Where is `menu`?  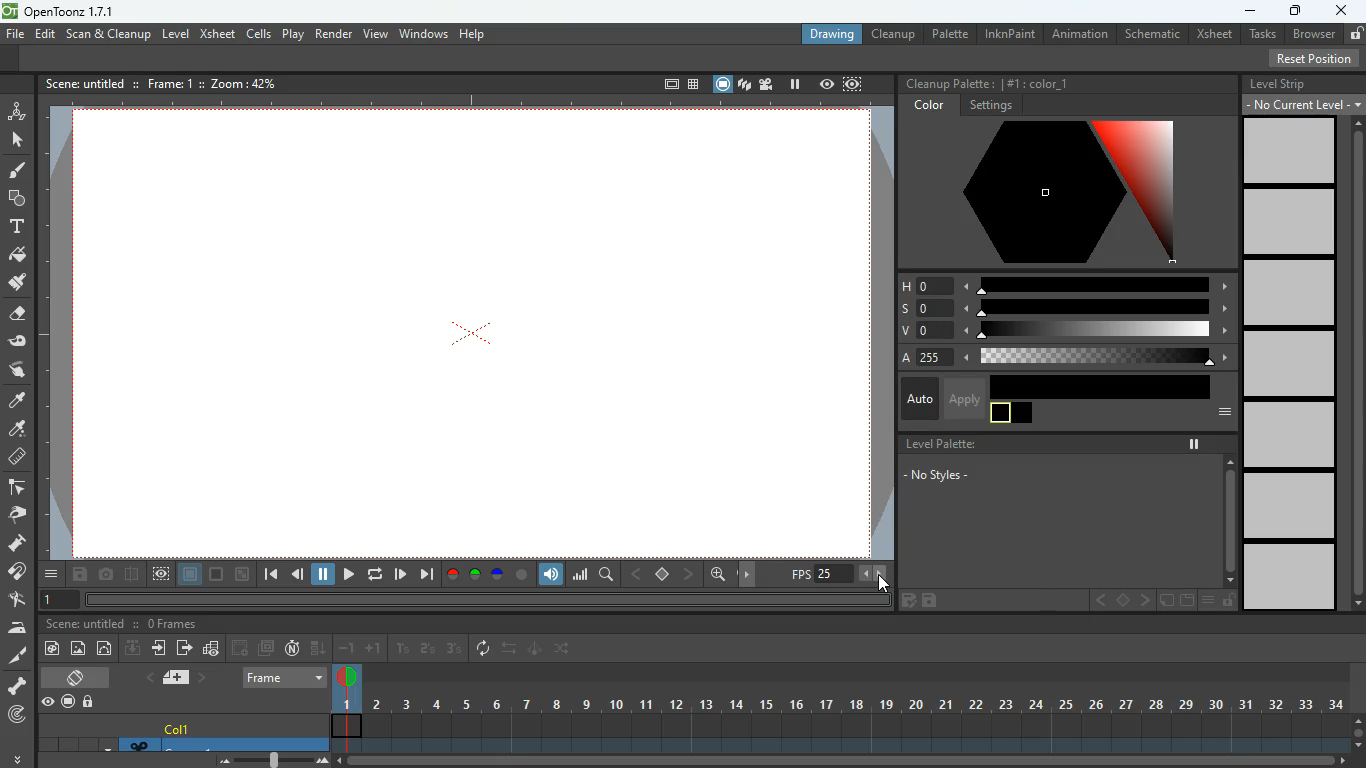
menu is located at coordinates (1207, 600).